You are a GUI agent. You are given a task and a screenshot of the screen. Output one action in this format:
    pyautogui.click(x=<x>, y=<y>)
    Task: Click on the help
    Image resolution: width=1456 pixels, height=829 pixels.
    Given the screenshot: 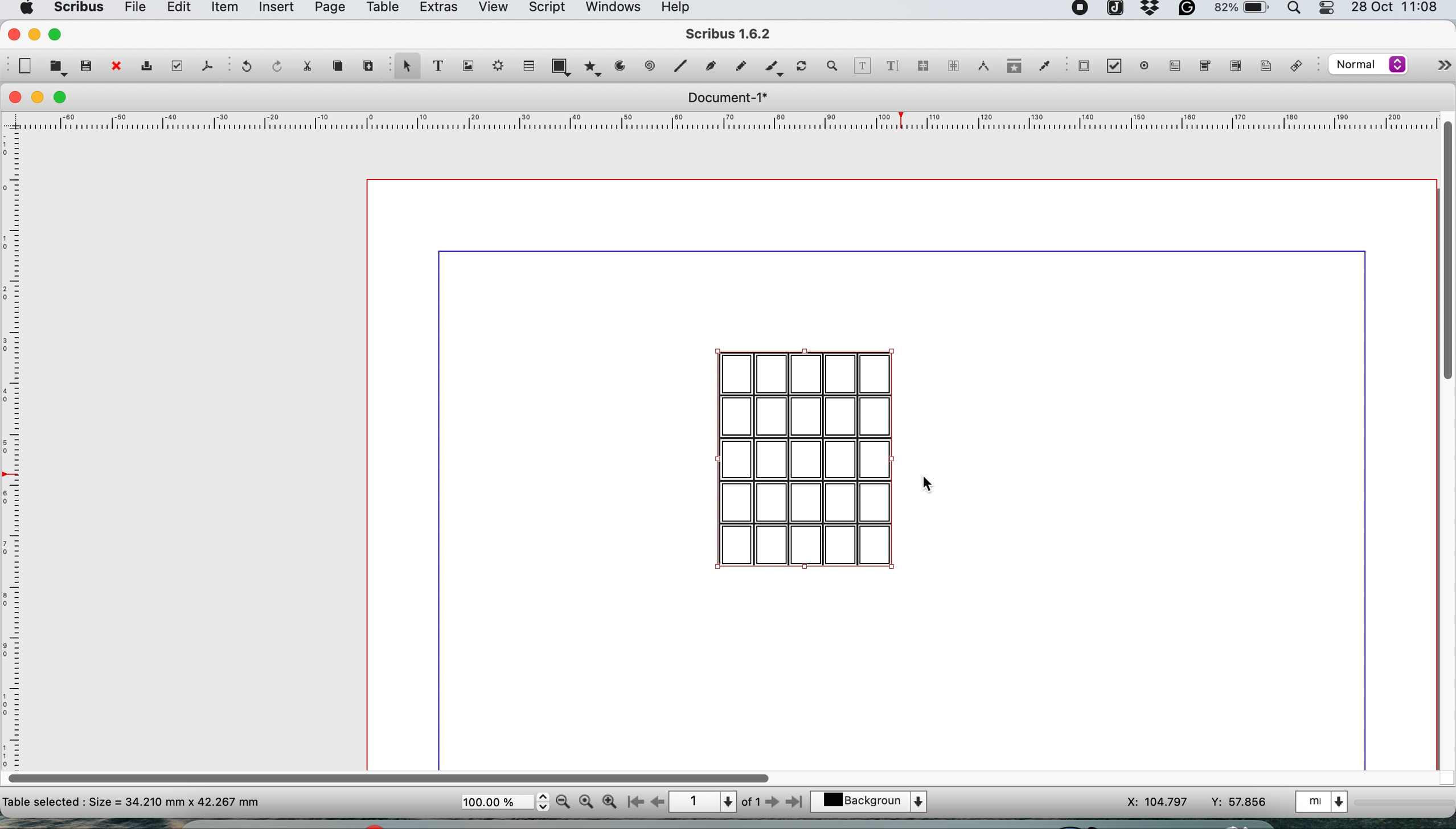 What is the action you would take?
    pyautogui.click(x=681, y=9)
    